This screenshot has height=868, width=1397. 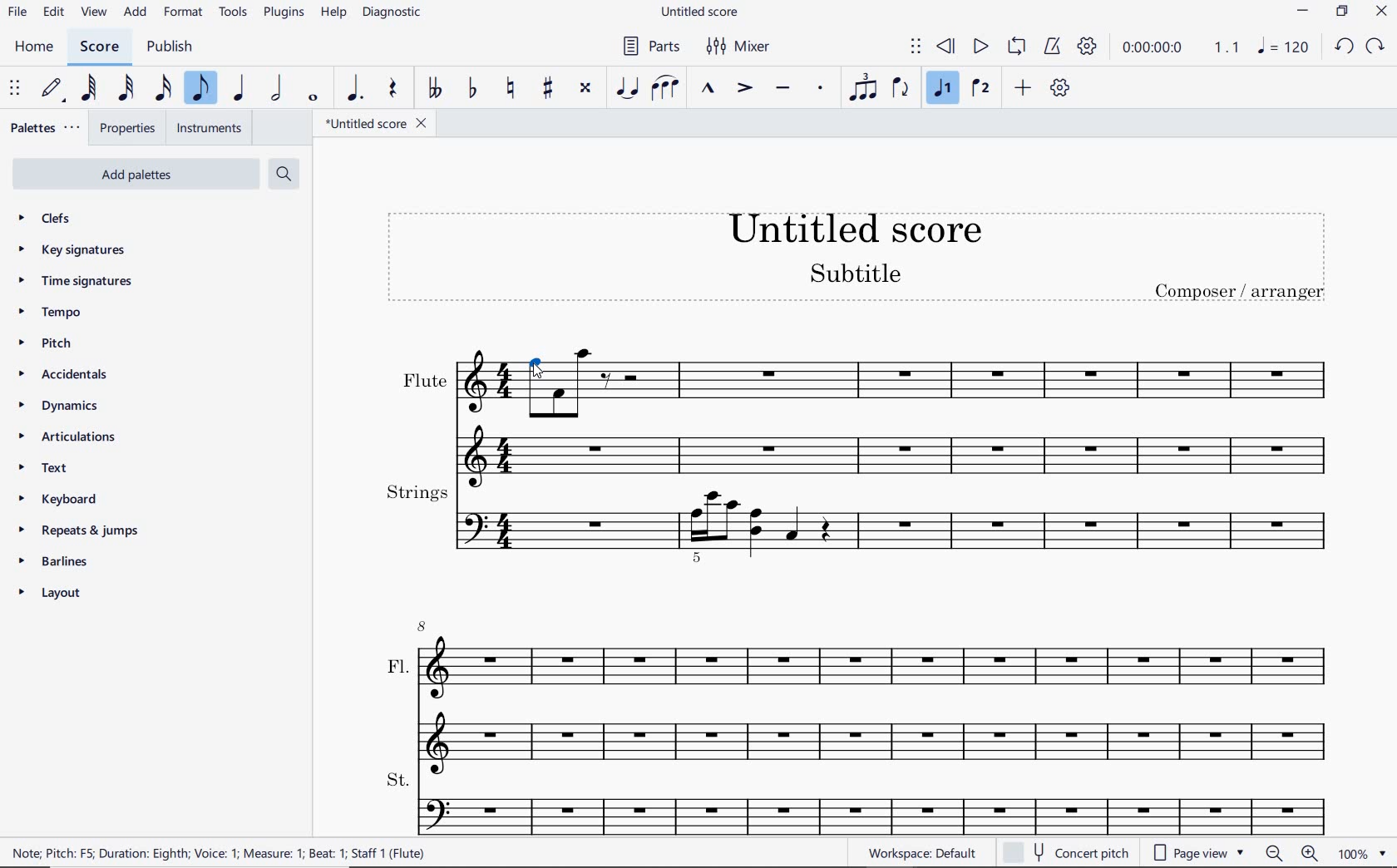 I want to click on REST, so click(x=393, y=90).